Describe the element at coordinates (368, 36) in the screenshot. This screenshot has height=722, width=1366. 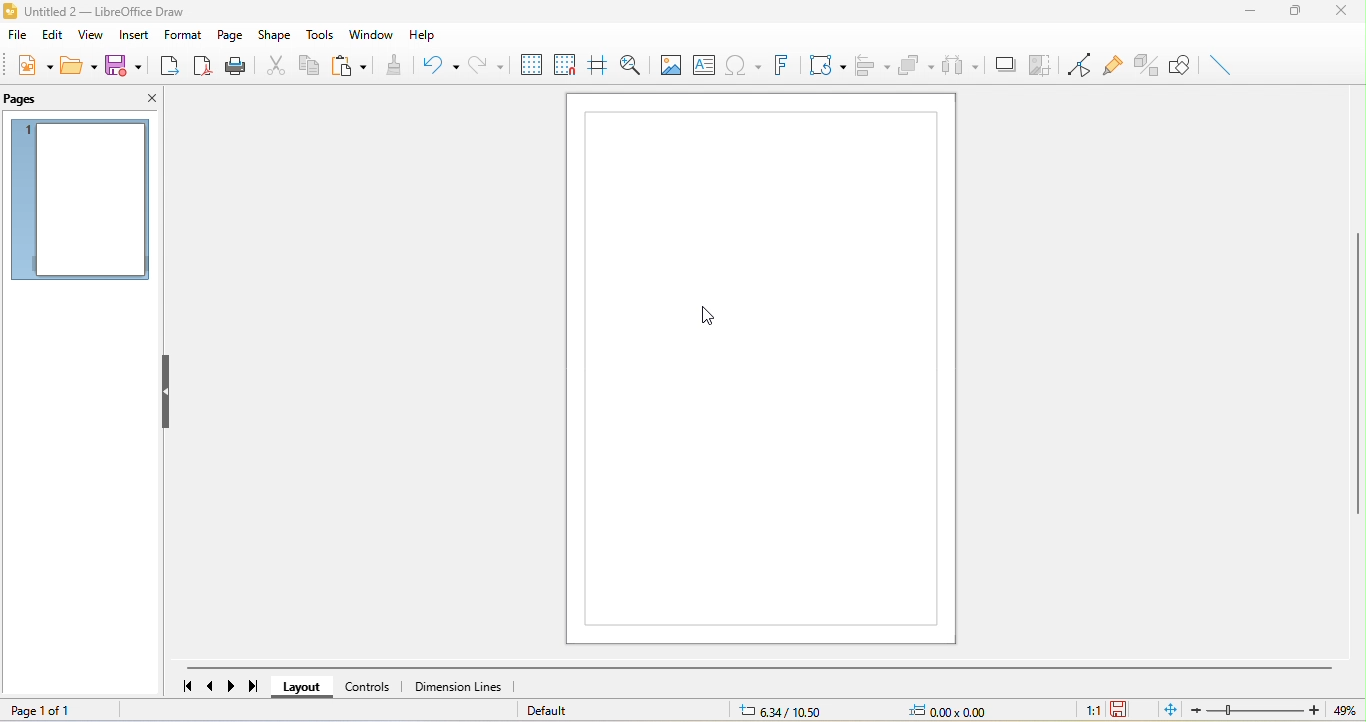
I see `window` at that location.